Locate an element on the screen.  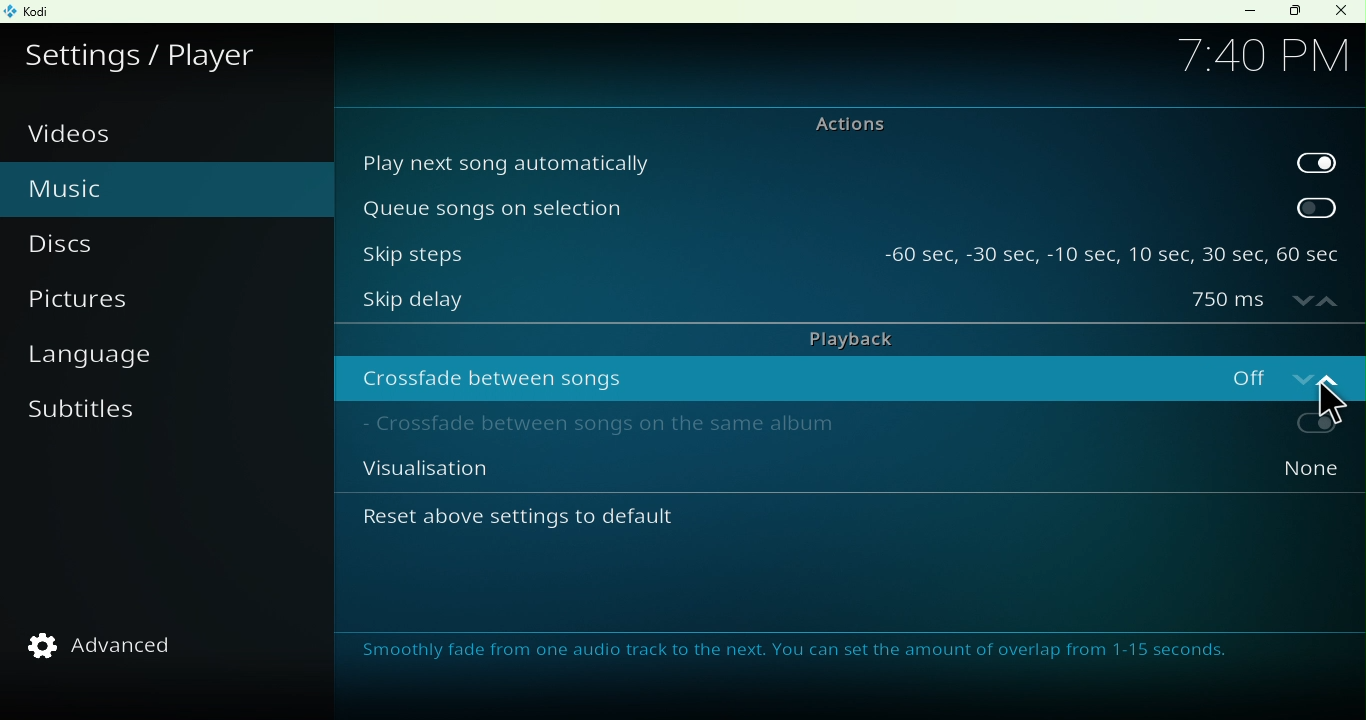
Visualization is located at coordinates (762, 475).